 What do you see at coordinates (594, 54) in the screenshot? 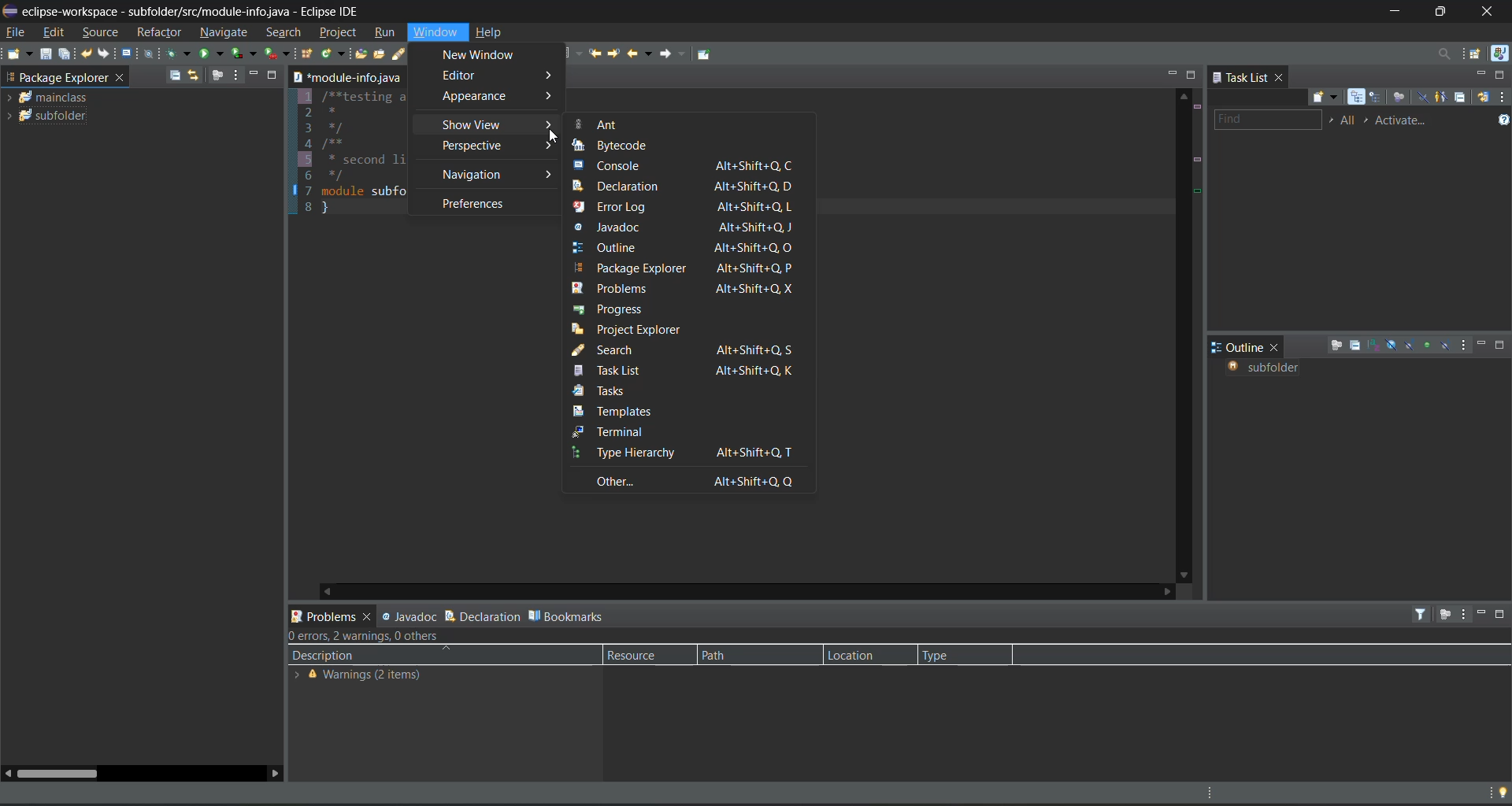
I see `previous edit location` at bounding box center [594, 54].